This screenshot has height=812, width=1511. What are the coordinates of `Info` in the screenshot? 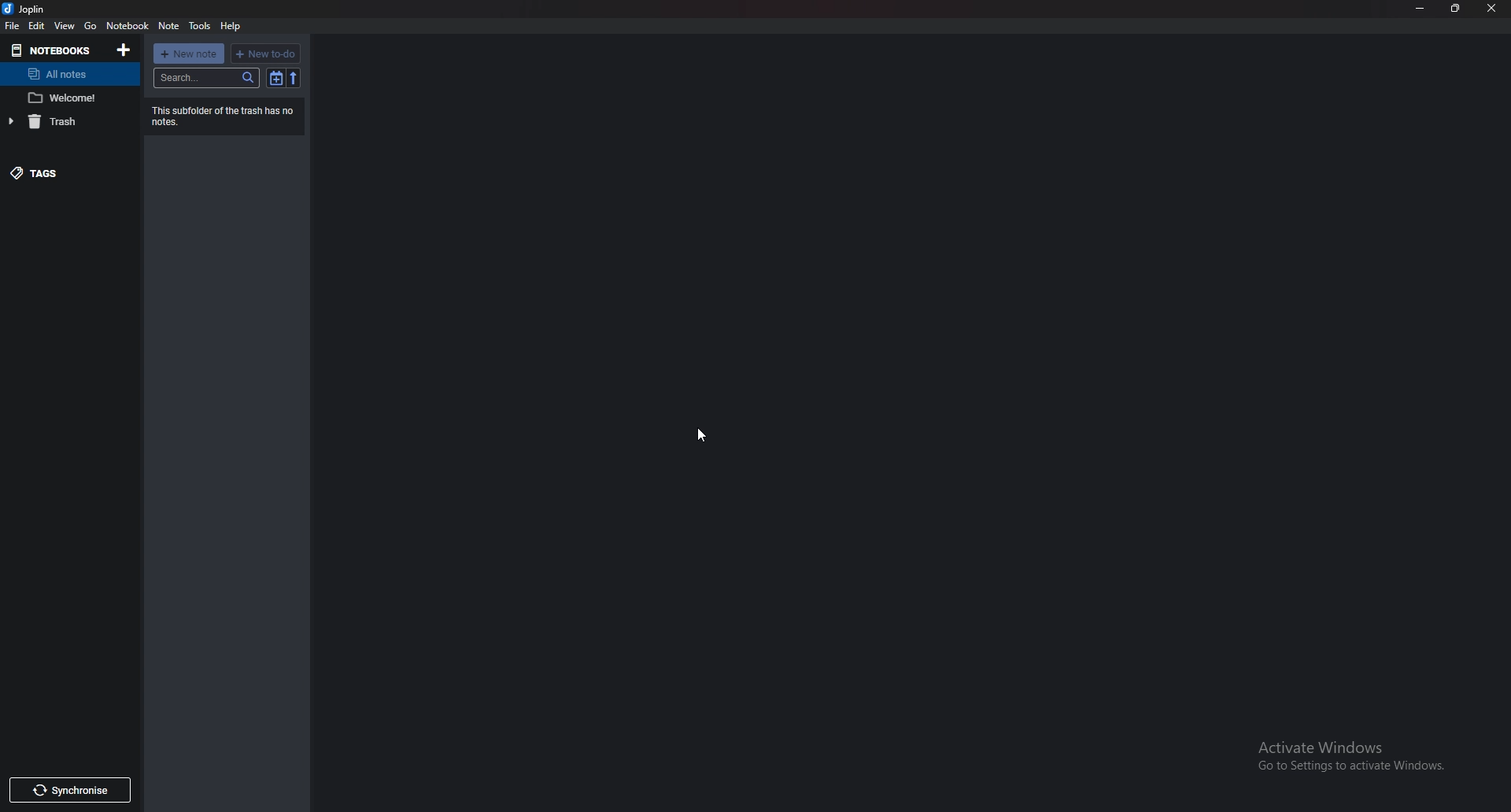 It's located at (225, 116).